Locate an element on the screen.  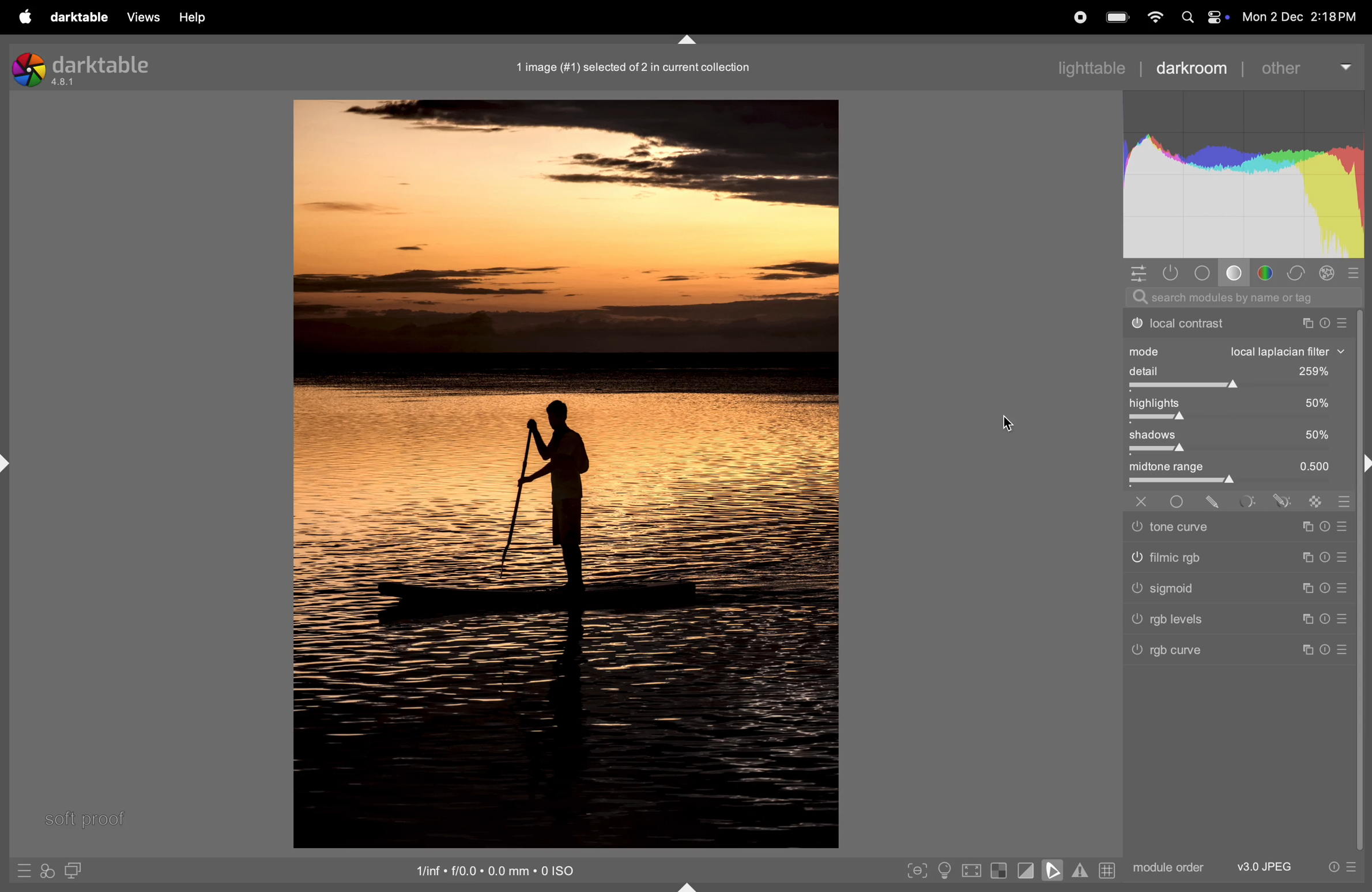
sign  is located at coordinates (1324, 589).